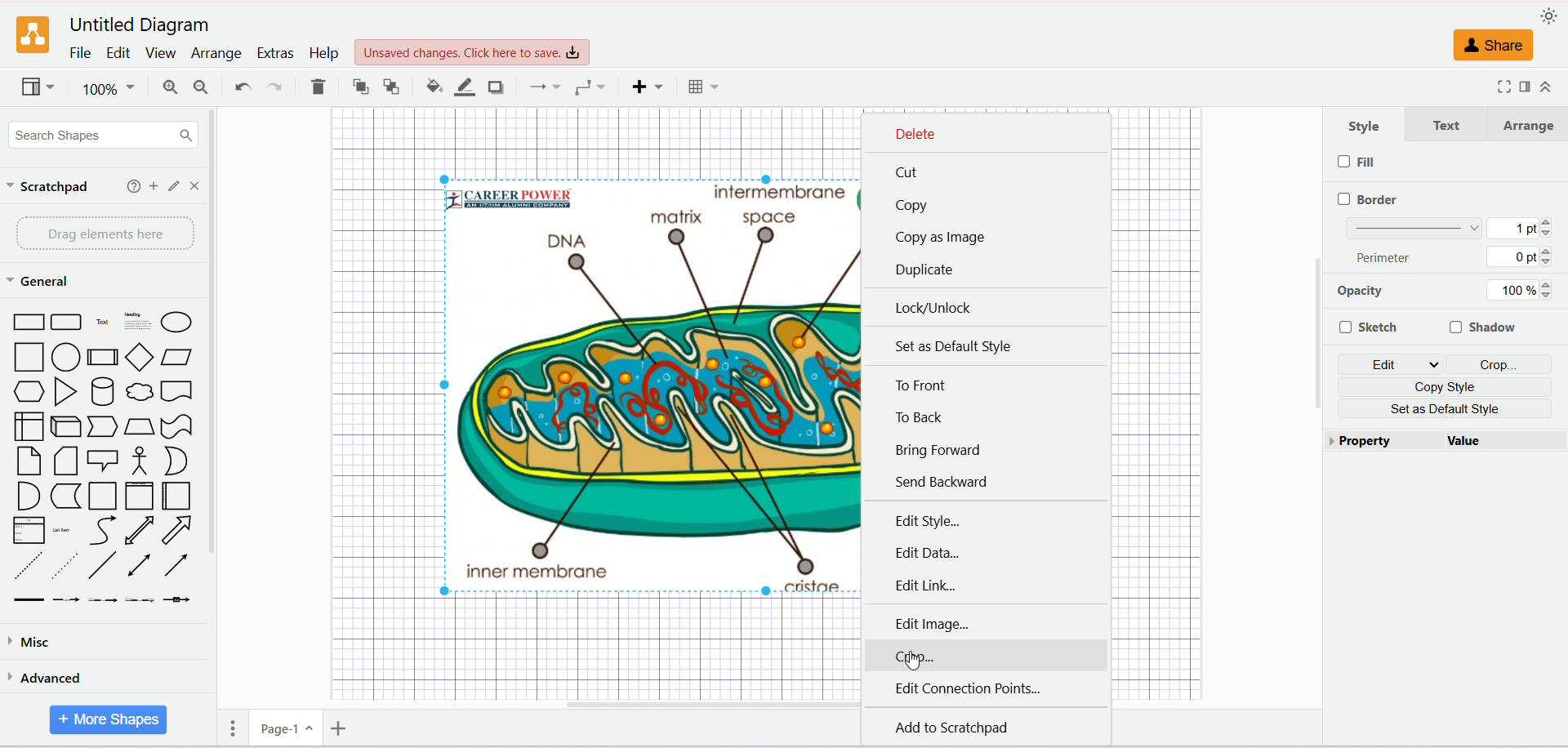 The image size is (1568, 748). What do you see at coordinates (1383, 443) in the screenshot?
I see `property` at bounding box center [1383, 443].